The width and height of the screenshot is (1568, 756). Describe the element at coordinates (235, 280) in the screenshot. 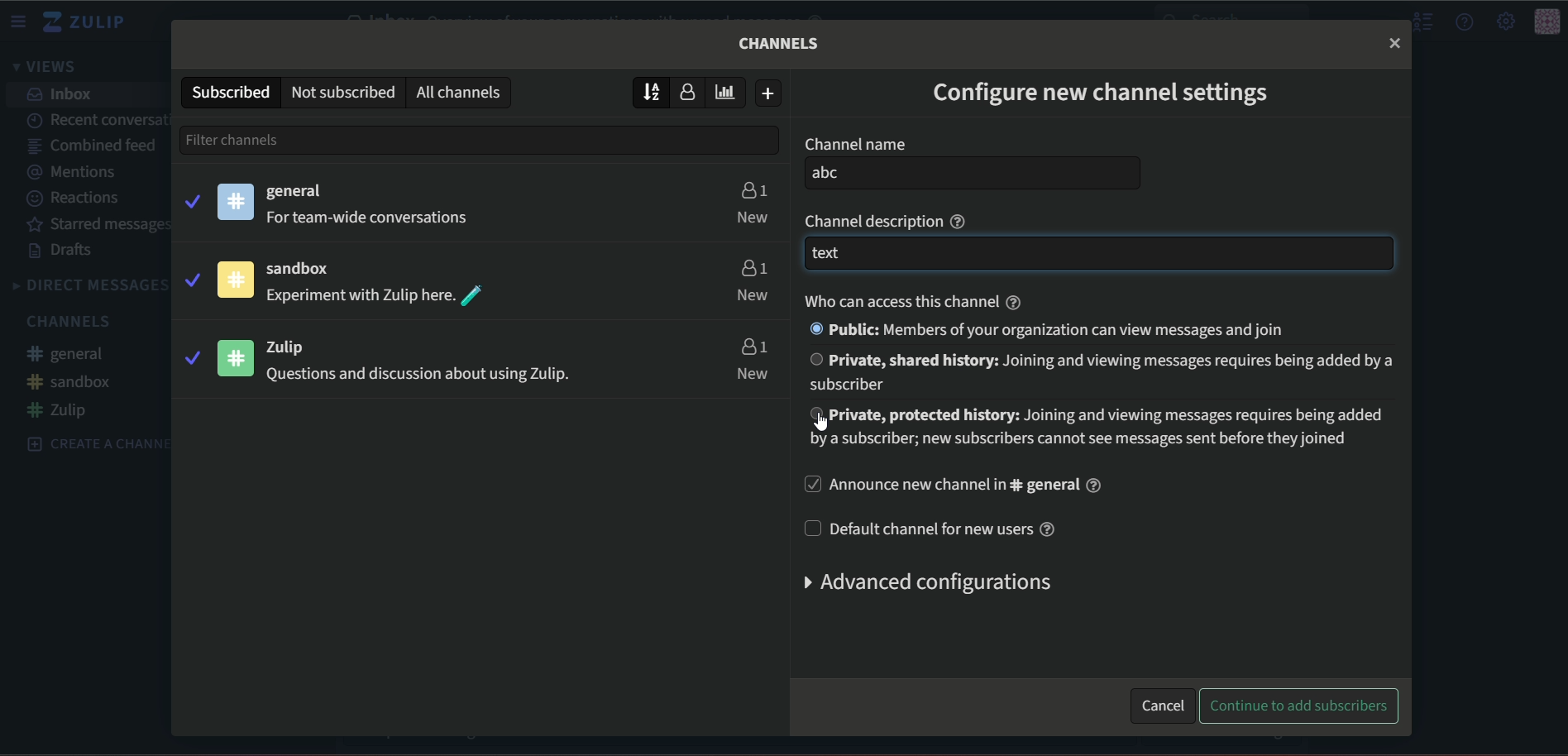

I see `icon` at that location.